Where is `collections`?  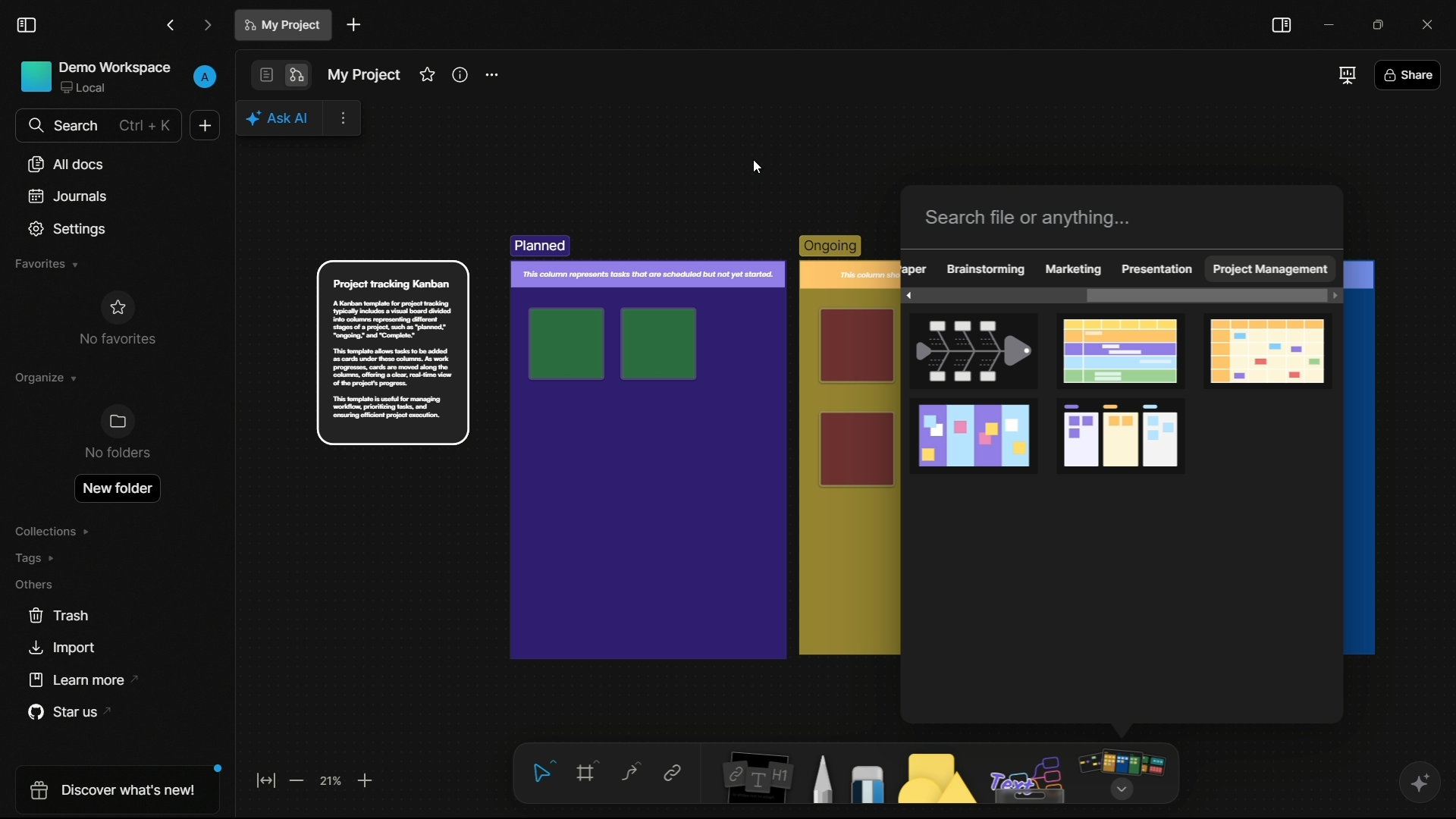 collections is located at coordinates (52, 532).